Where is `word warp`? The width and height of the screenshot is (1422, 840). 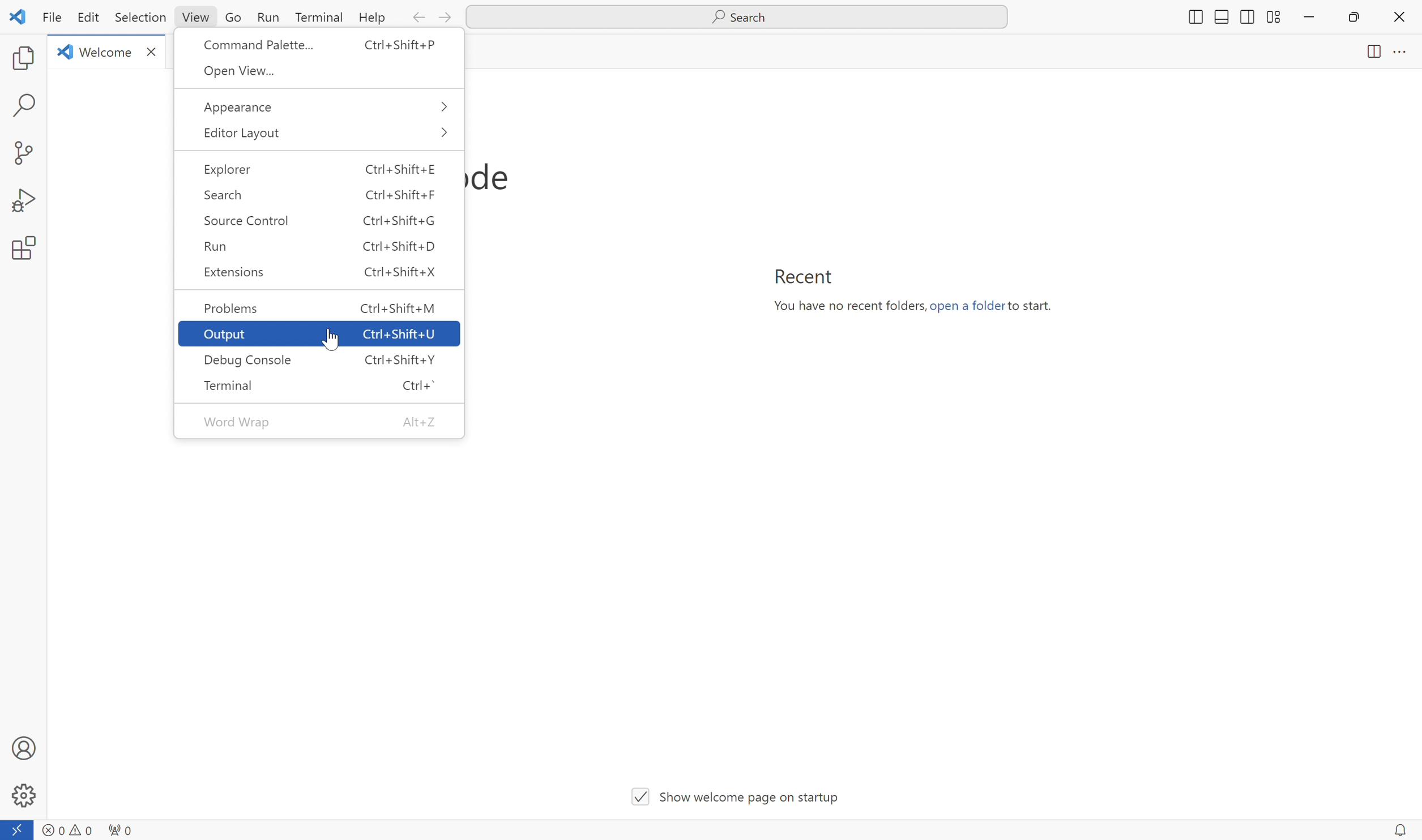
word warp is located at coordinates (317, 421).